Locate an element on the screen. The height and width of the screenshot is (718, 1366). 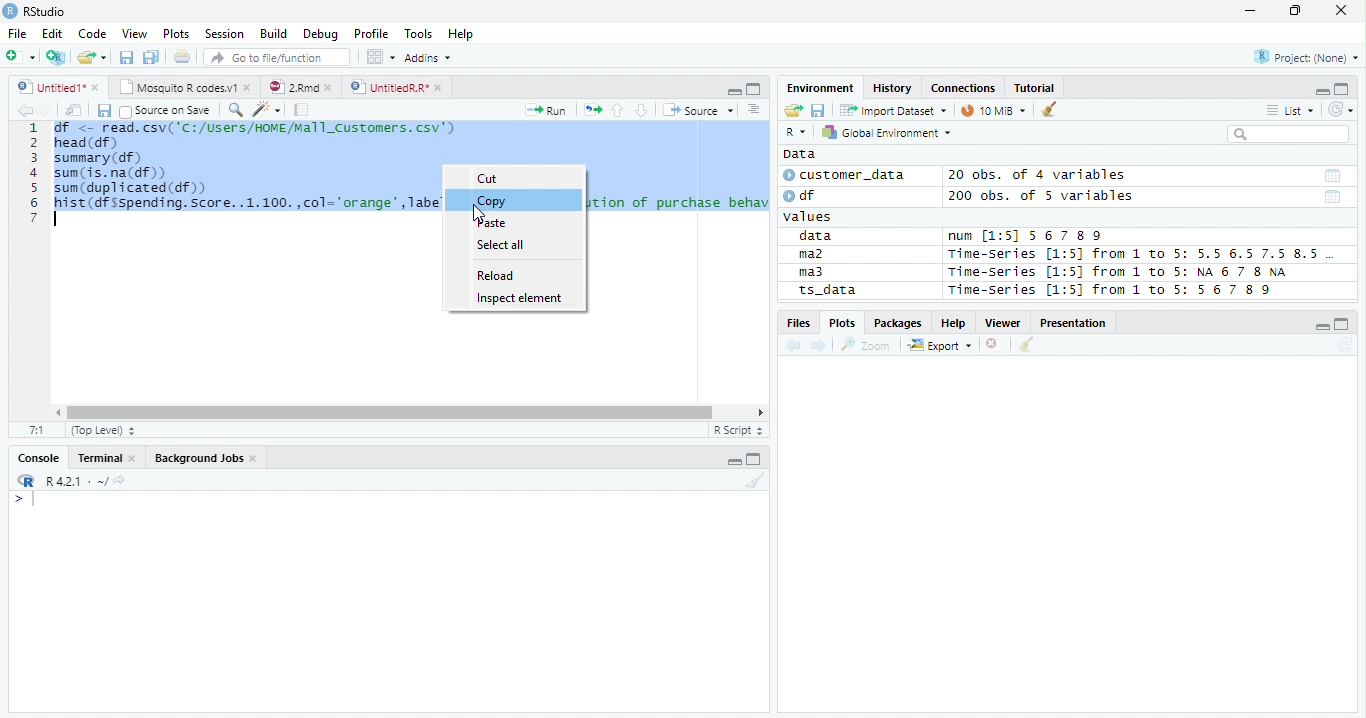
Viewer is located at coordinates (1006, 323).